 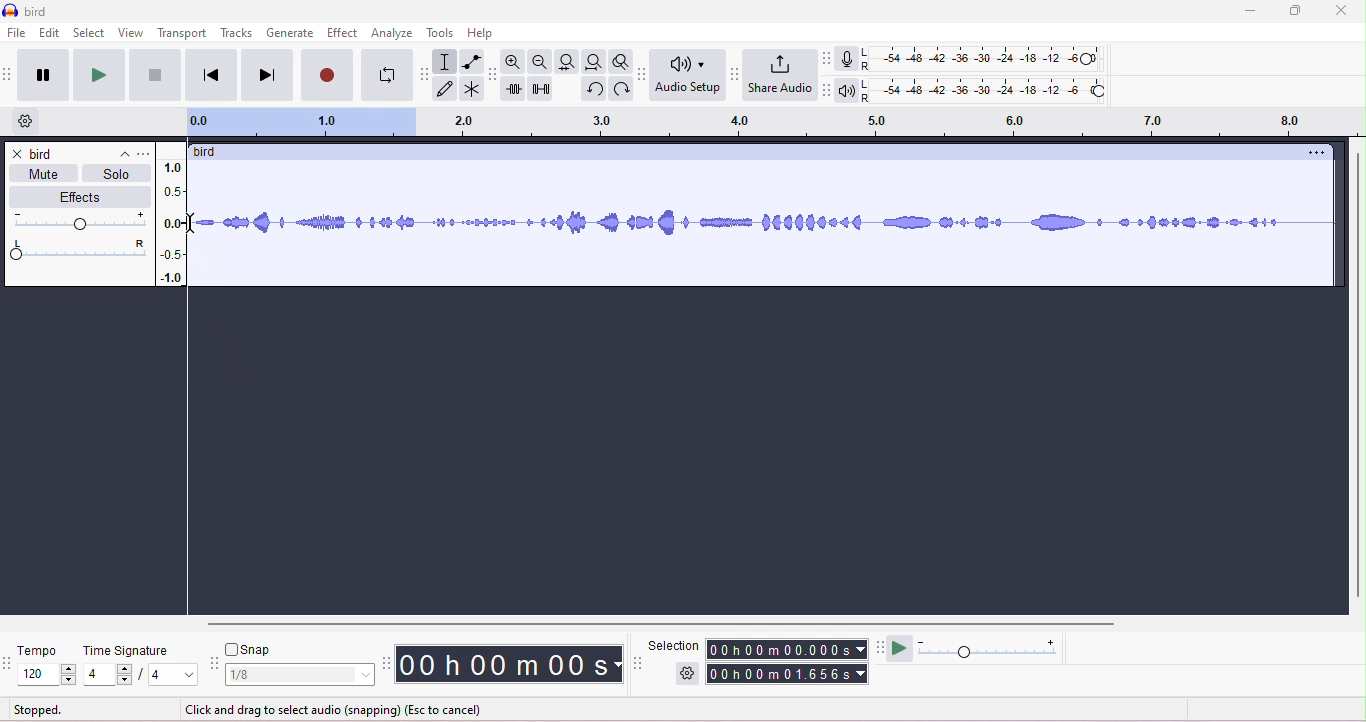 What do you see at coordinates (344, 34) in the screenshot?
I see `effect` at bounding box center [344, 34].